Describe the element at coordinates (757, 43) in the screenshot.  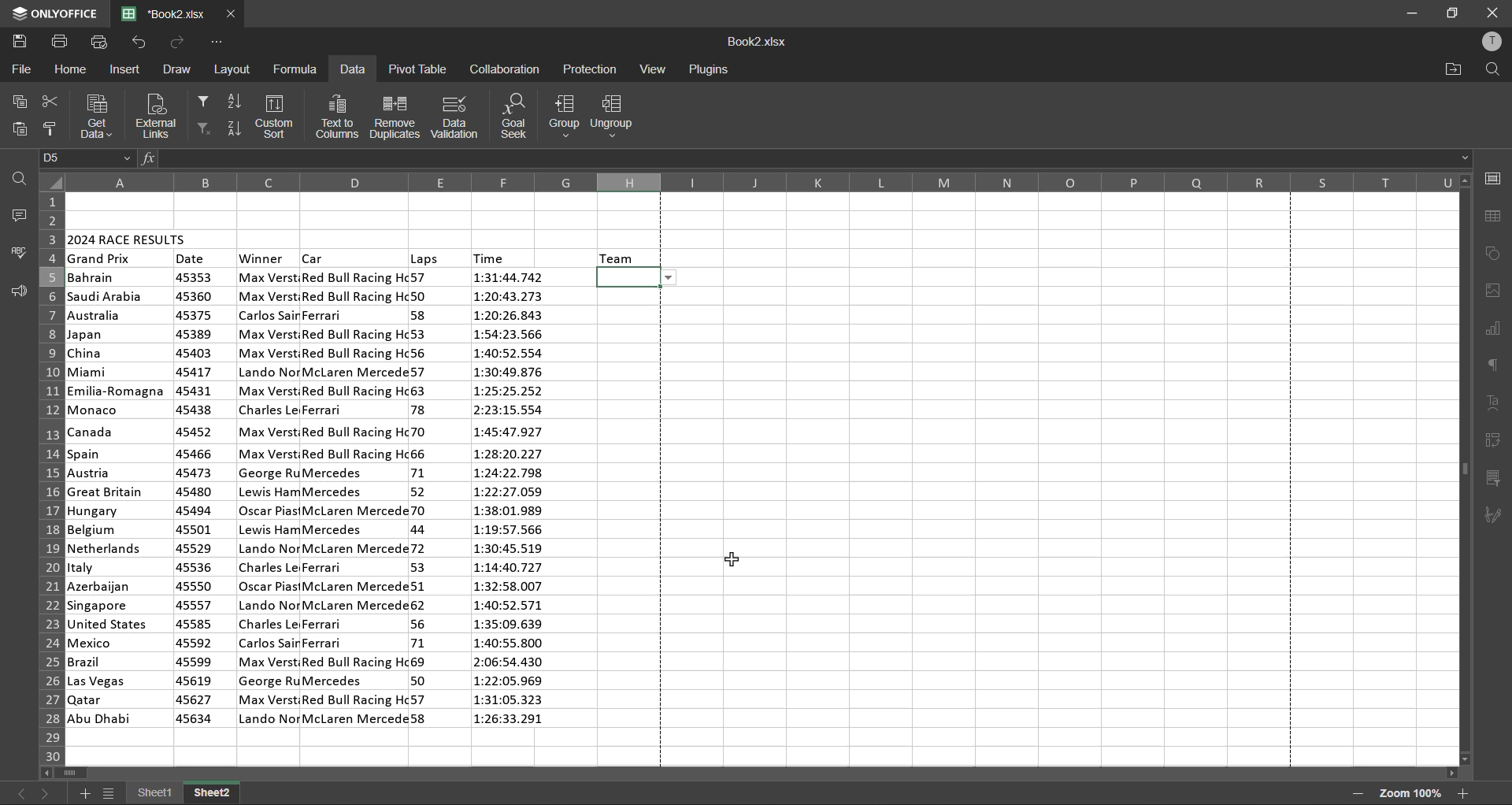
I see `filename` at that location.